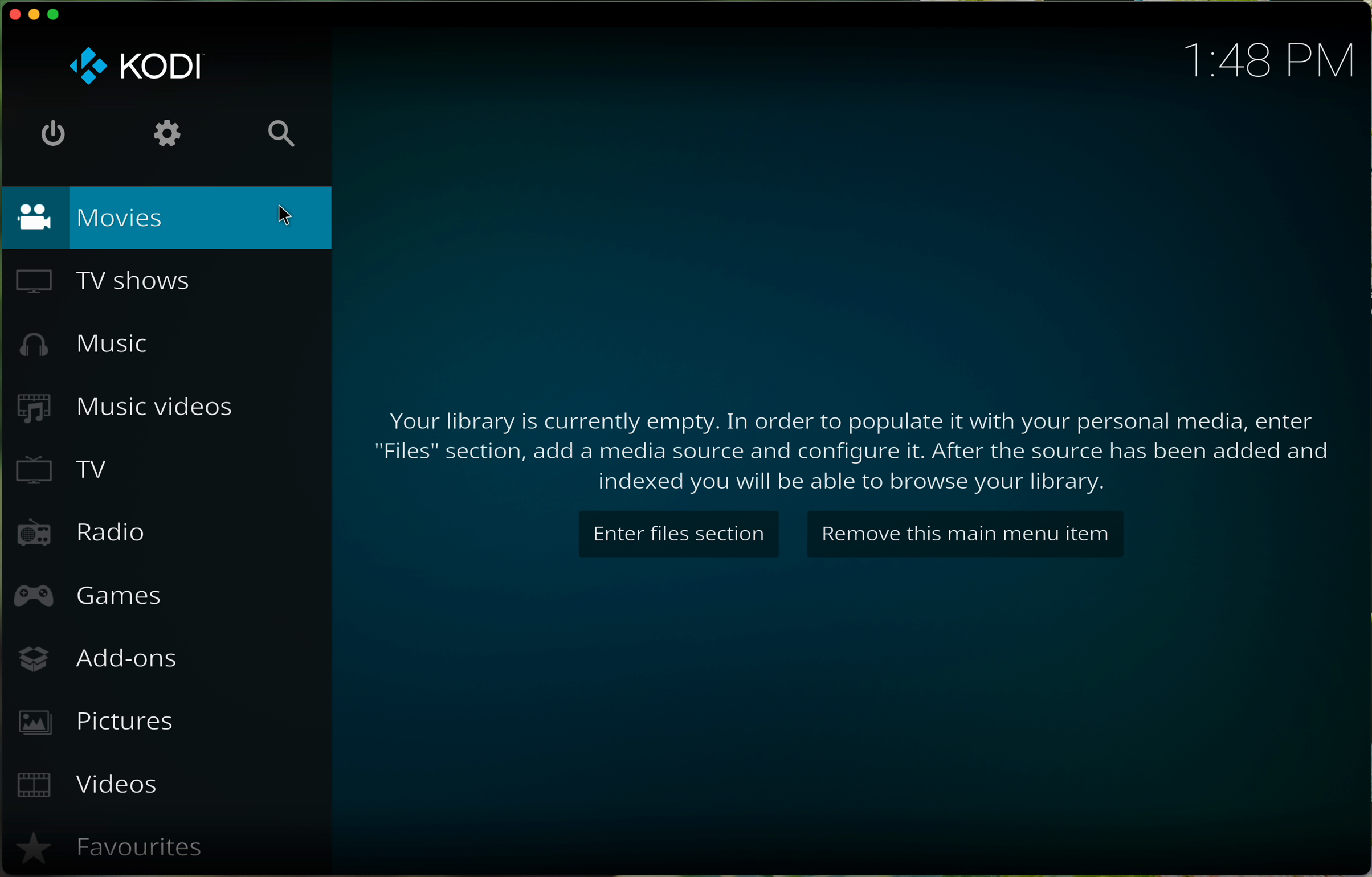  What do you see at coordinates (93, 347) in the screenshot?
I see `music` at bounding box center [93, 347].